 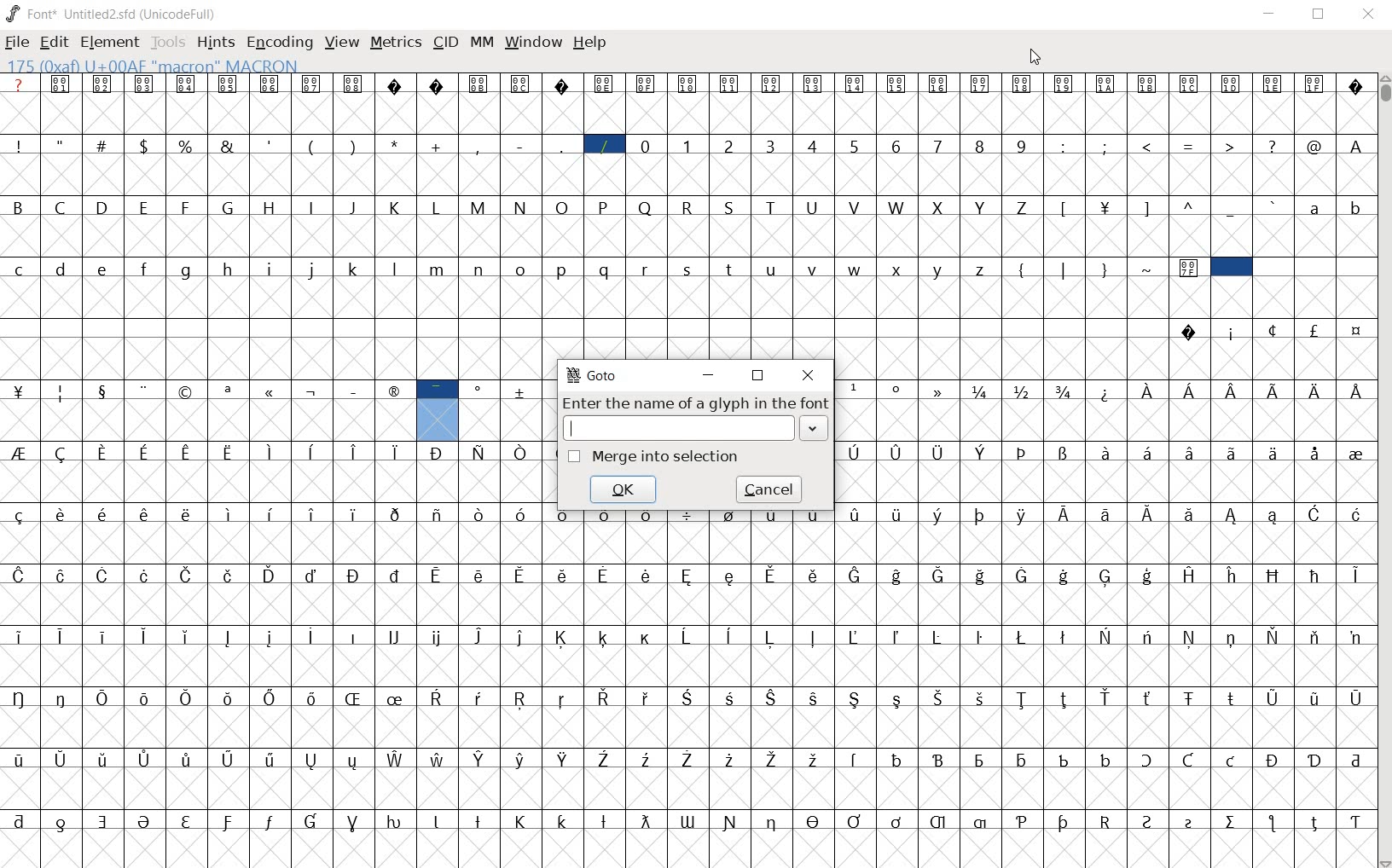 What do you see at coordinates (1383, 472) in the screenshot?
I see `SCROLLBAR` at bounding box center [1383, 472].